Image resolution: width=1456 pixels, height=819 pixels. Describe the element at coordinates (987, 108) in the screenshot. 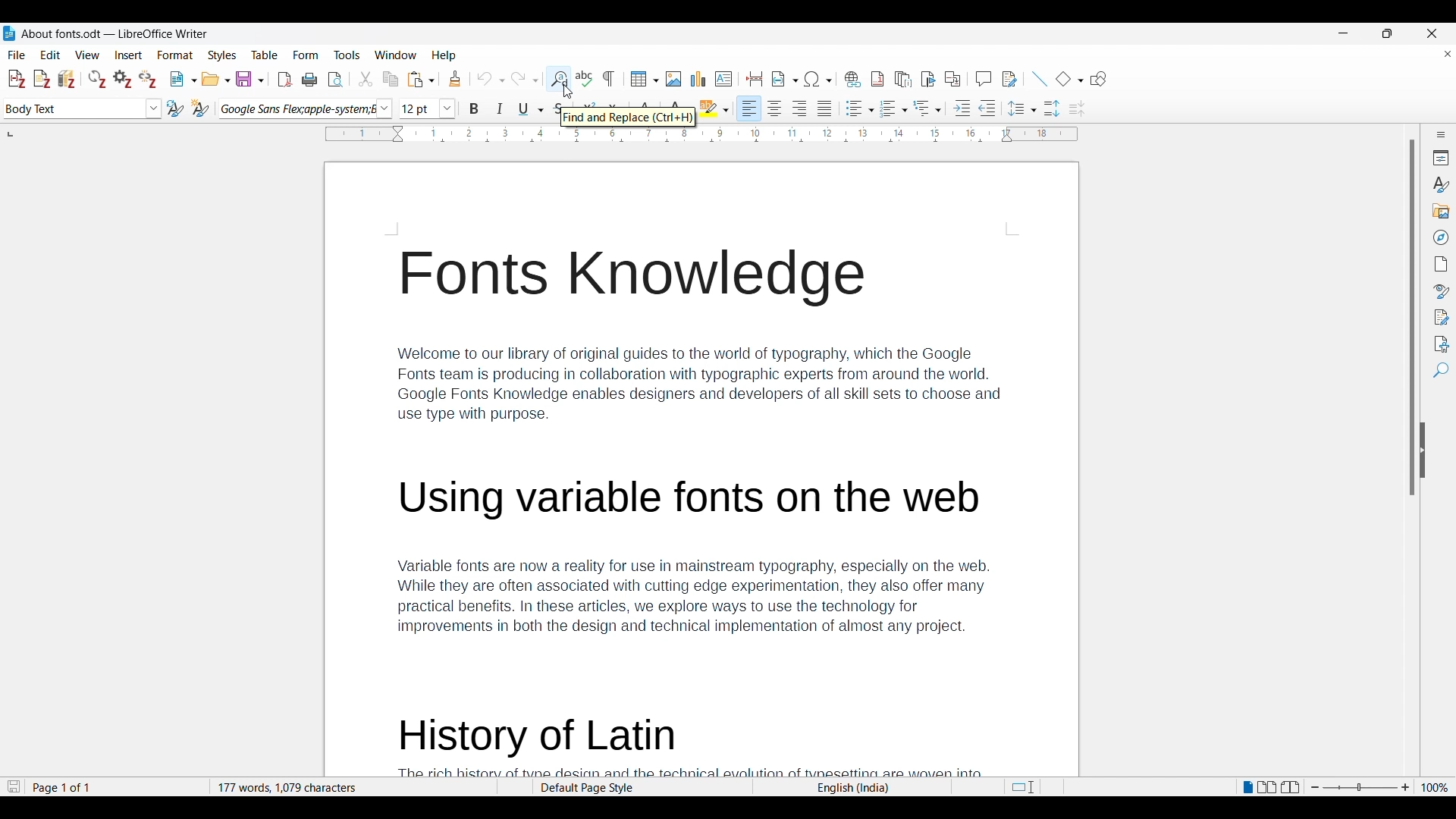

I see `Decrease indent` at that location.